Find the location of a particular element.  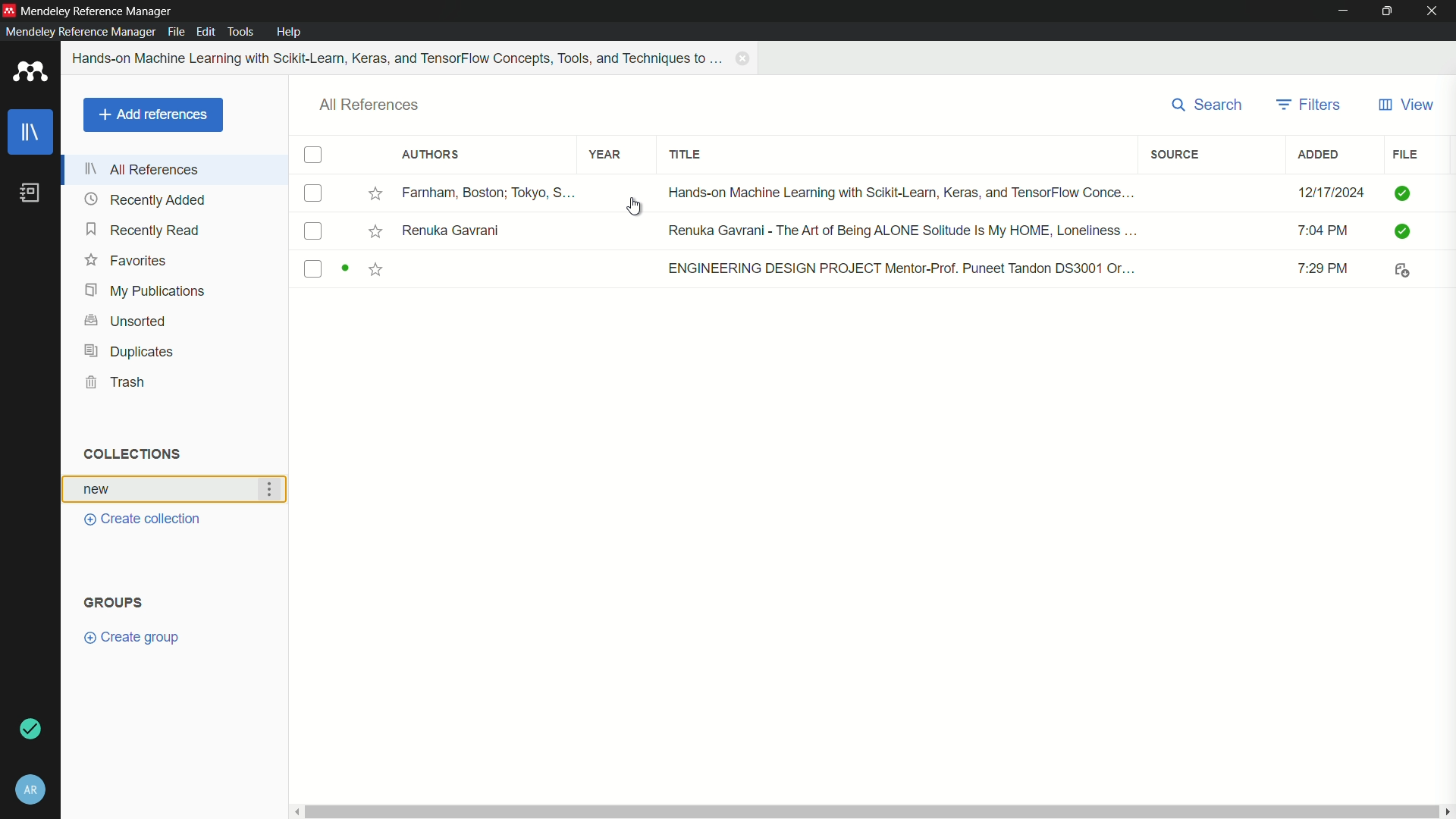

recently read is located at coordinates (145, 229).